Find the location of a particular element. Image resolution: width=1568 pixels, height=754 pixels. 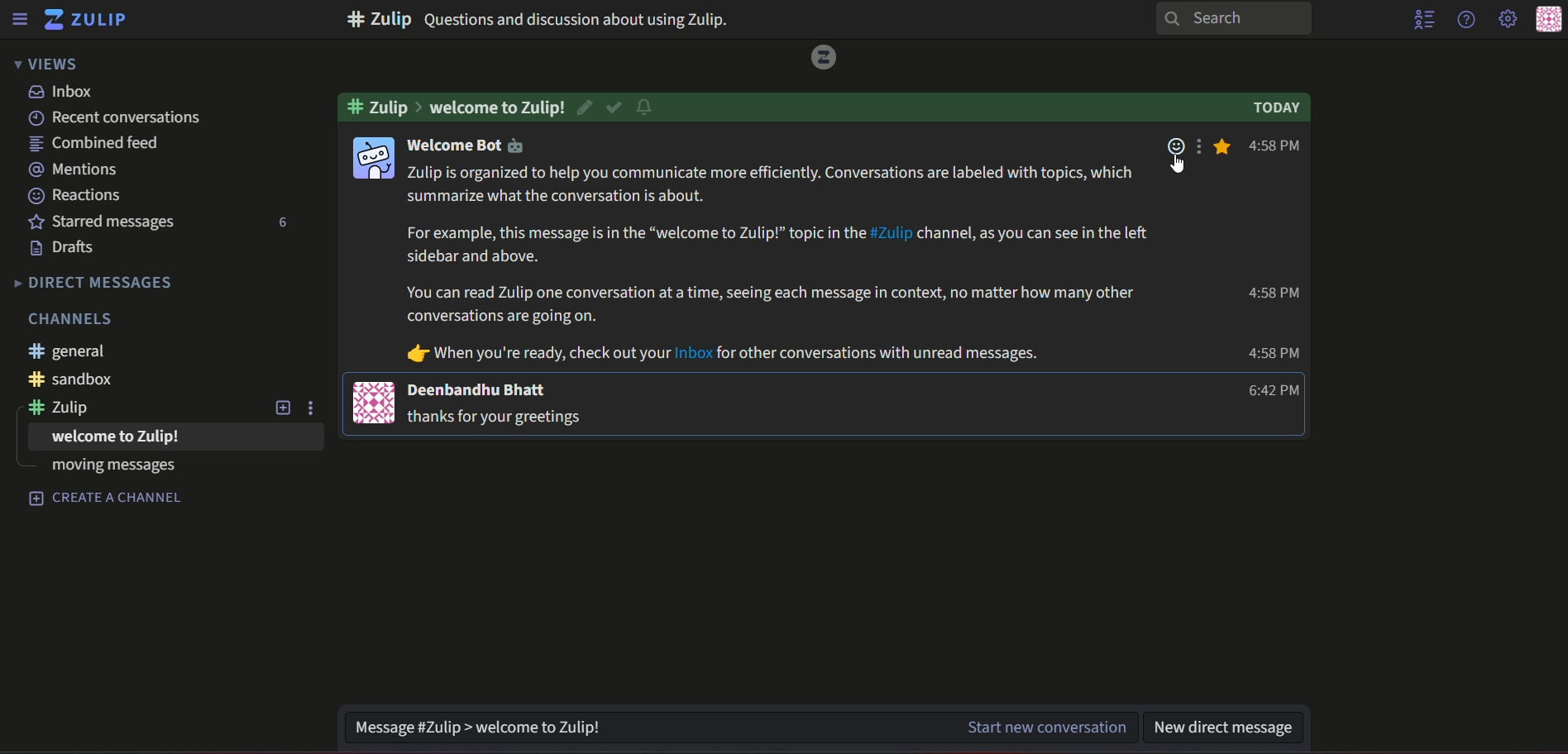

Thanks for your greetings is located at coordinates (497, 418).